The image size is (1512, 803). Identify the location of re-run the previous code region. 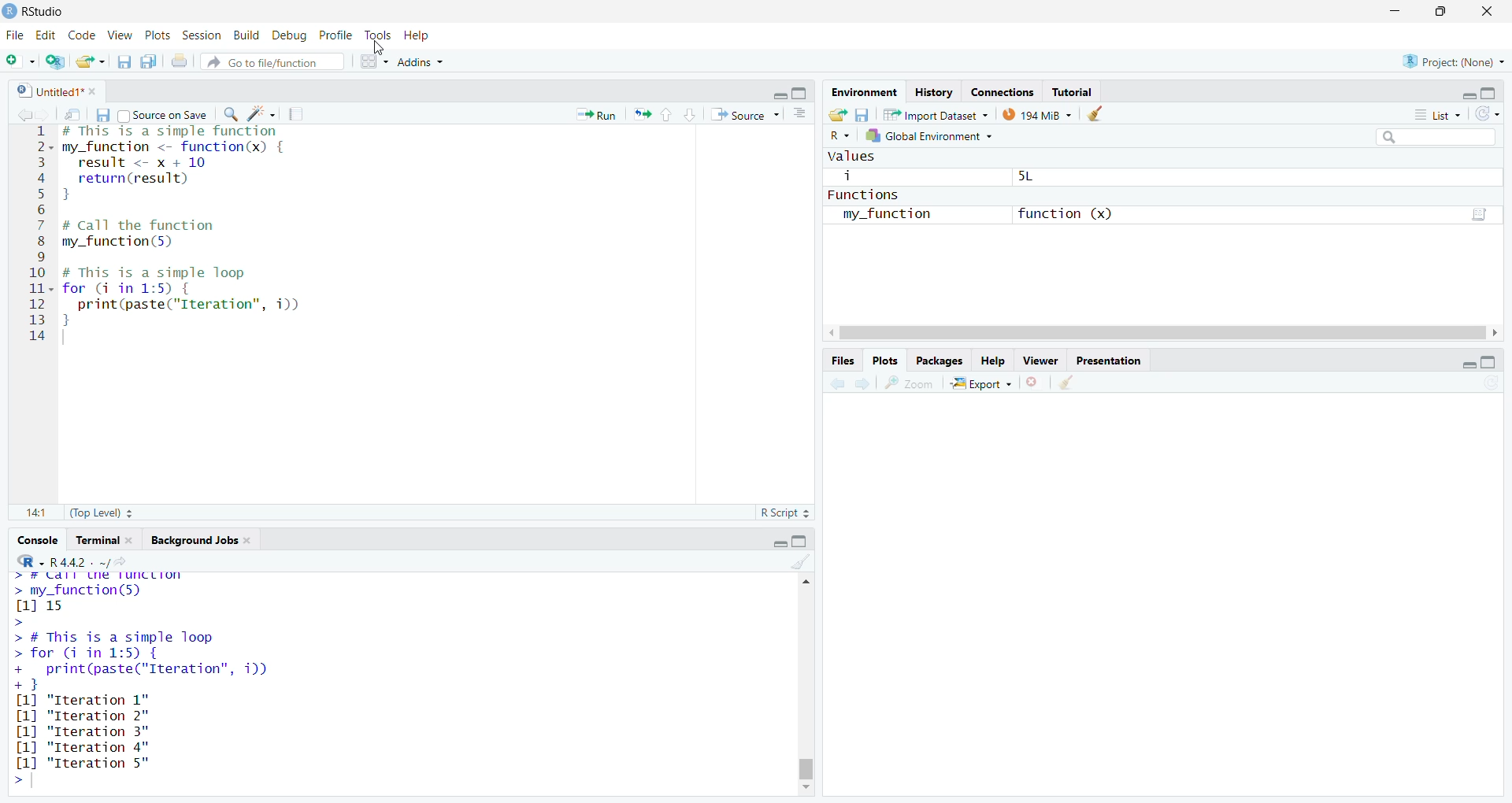
(641, 116).